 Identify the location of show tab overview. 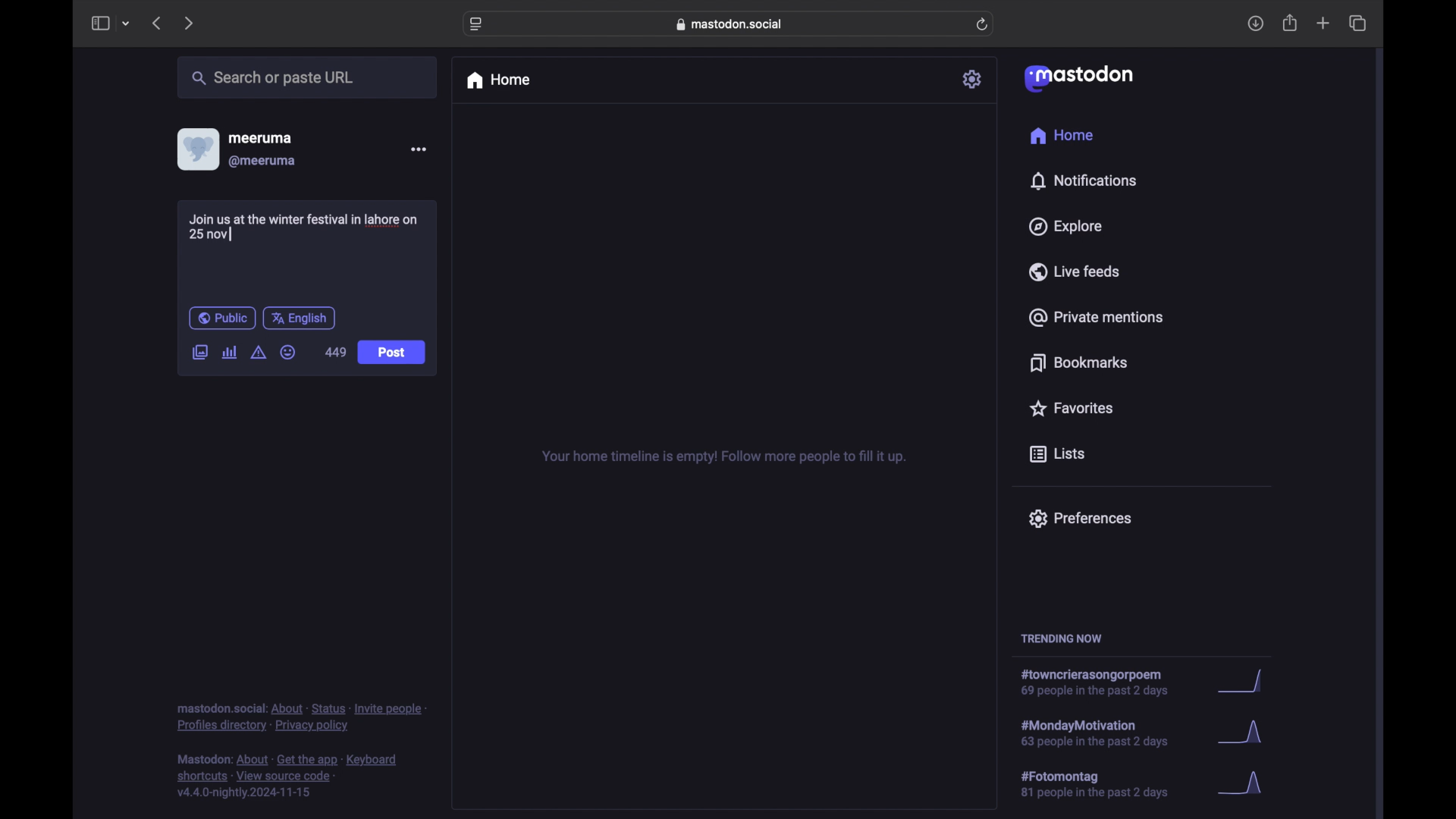
(1357, 24).